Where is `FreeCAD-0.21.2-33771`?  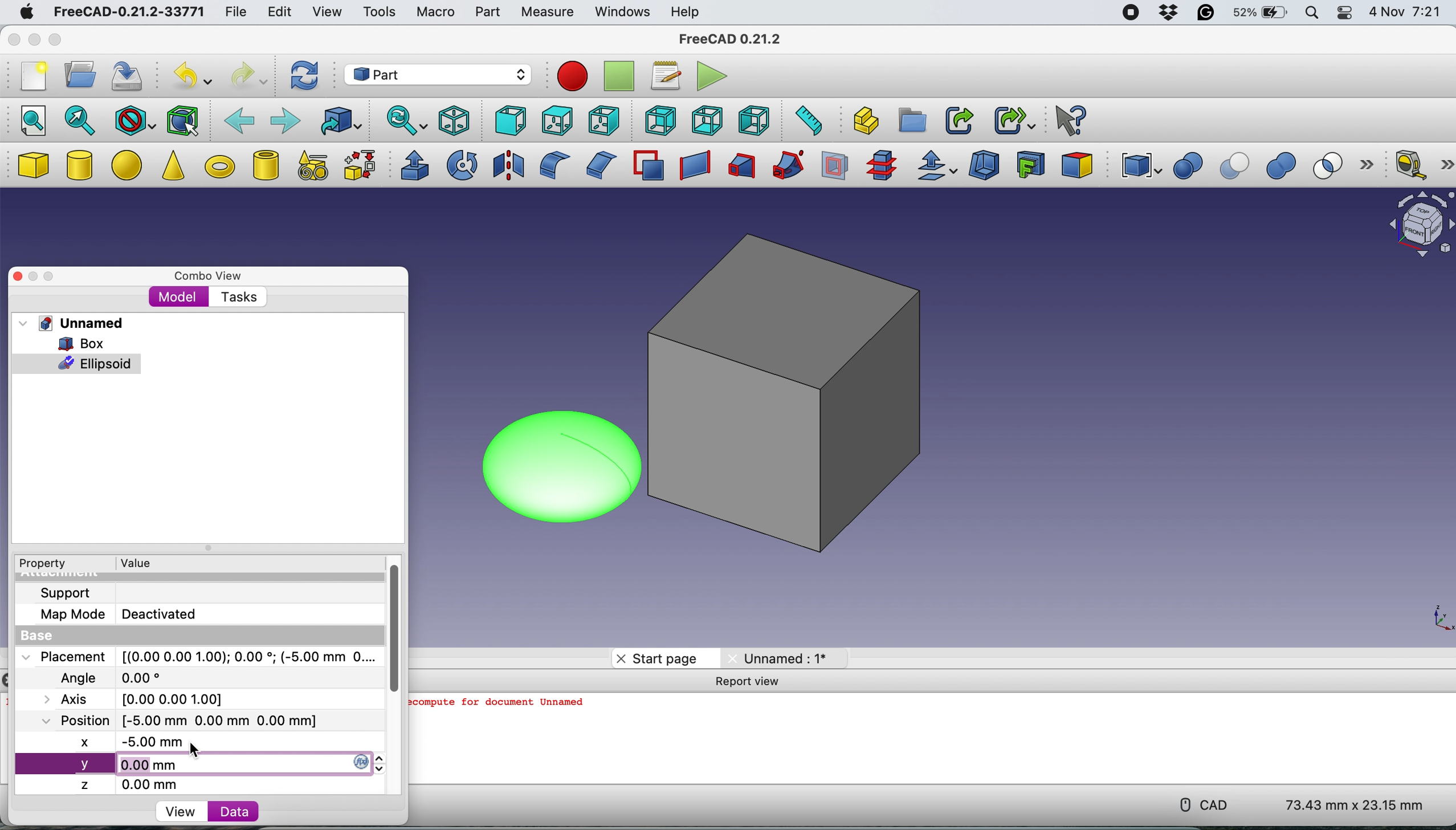
FreeCAD-0.21.2-33771 is located at coordinates (127, 13).